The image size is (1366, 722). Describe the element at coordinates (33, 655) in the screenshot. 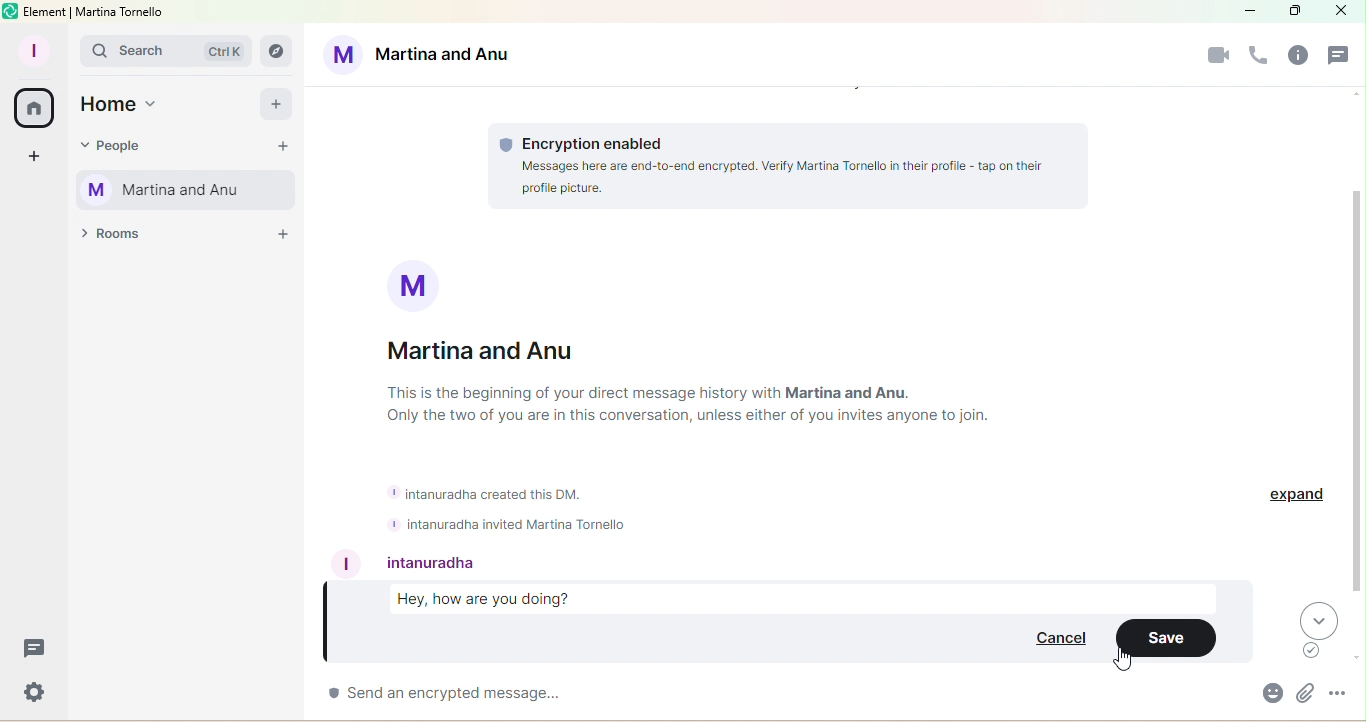

I see `Threads` at that location.